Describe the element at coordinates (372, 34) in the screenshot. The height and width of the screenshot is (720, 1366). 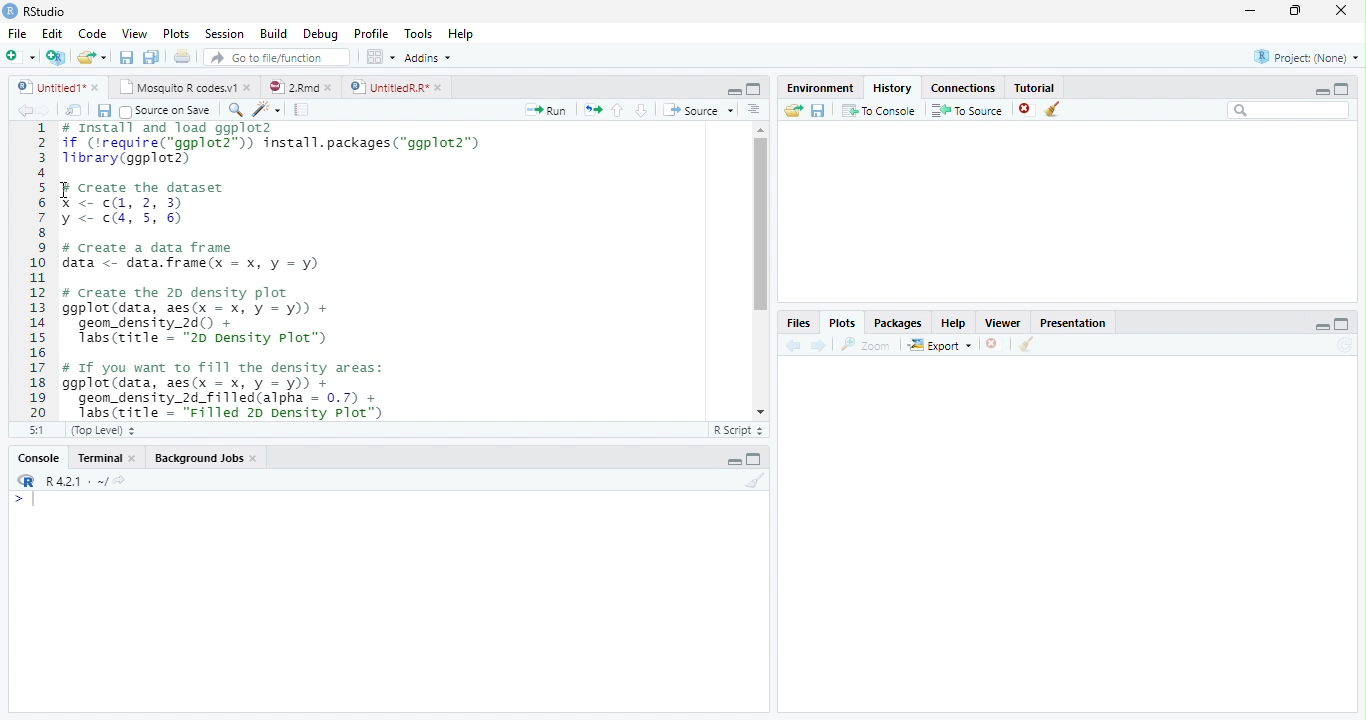
I see `Profile` at that location.